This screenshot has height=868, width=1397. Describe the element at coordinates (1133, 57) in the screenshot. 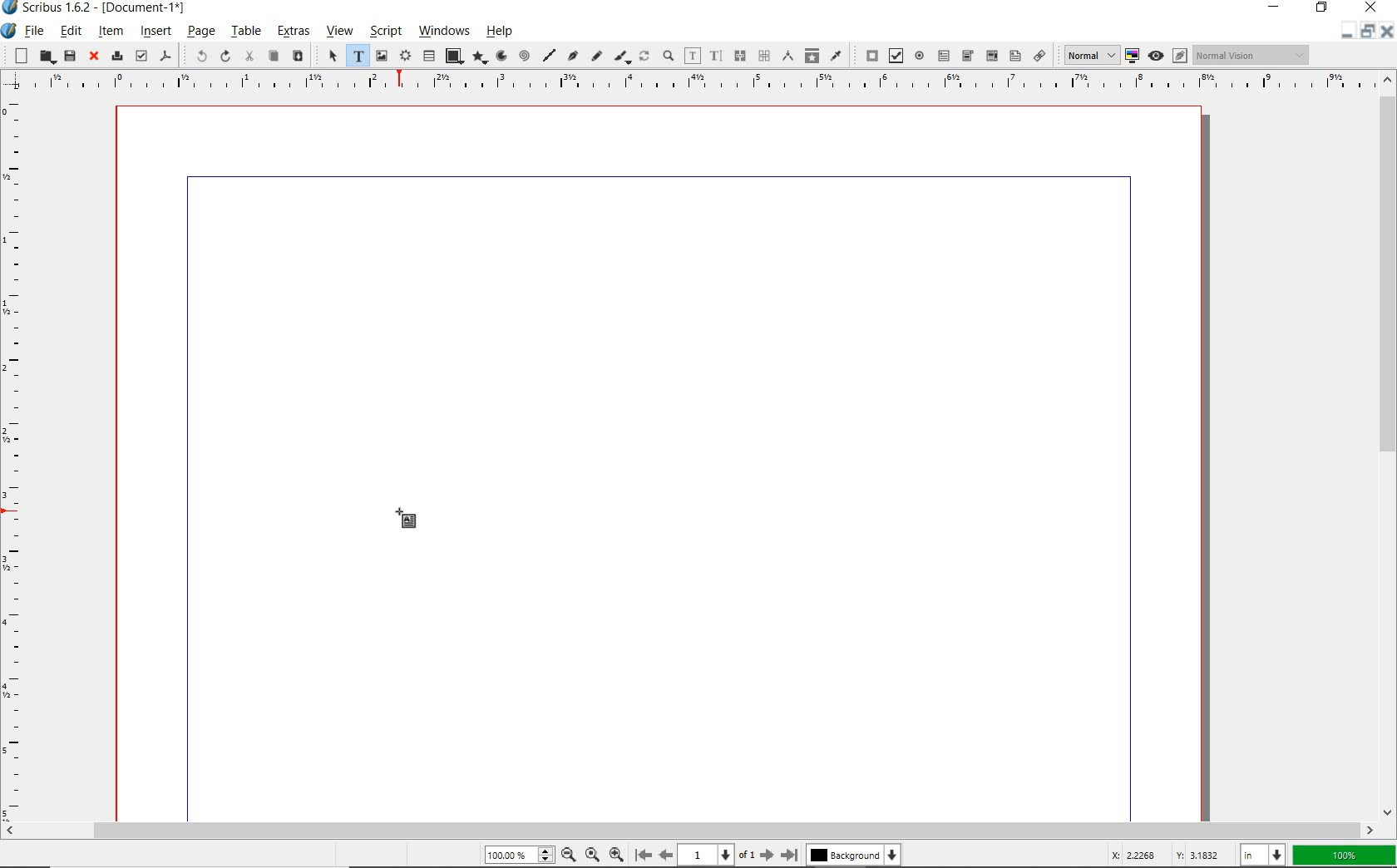

I see `toggle color` at that location.